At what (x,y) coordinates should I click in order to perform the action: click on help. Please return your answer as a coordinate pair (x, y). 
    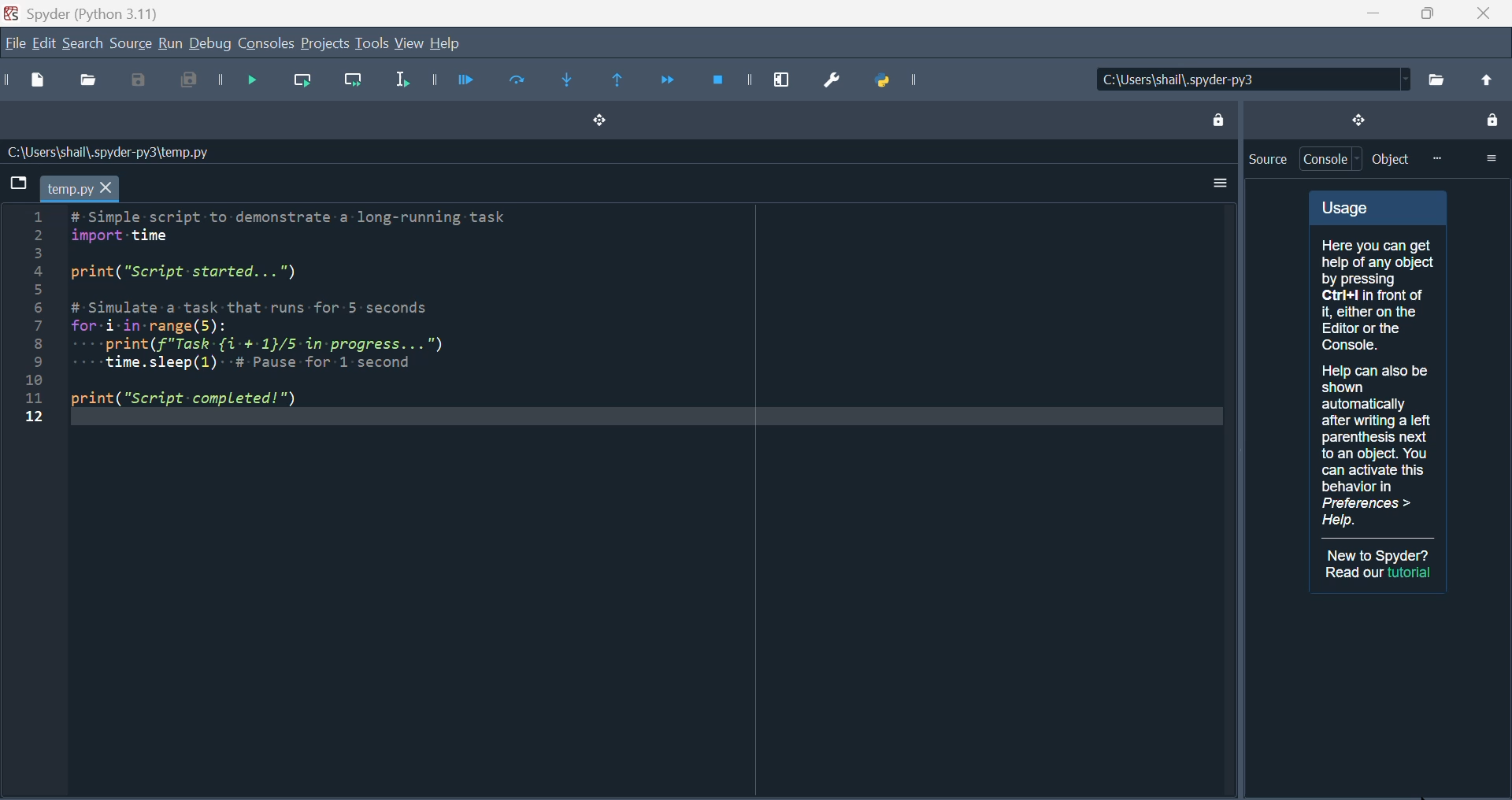
    Looking at the image, I should click on (445, 43).